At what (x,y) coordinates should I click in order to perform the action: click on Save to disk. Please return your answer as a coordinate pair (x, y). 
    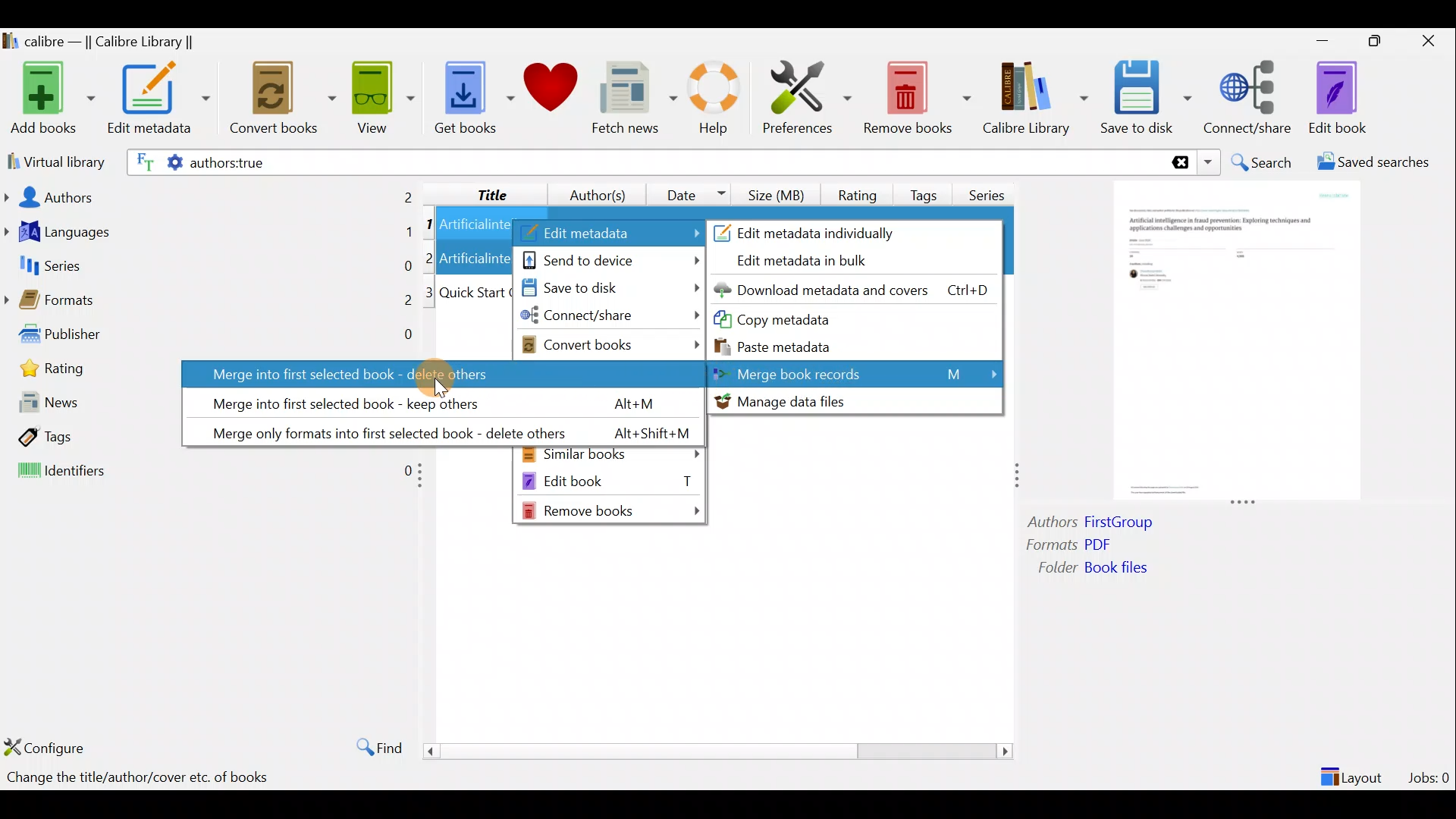
    Looking at the image, I should click on (607, 289).